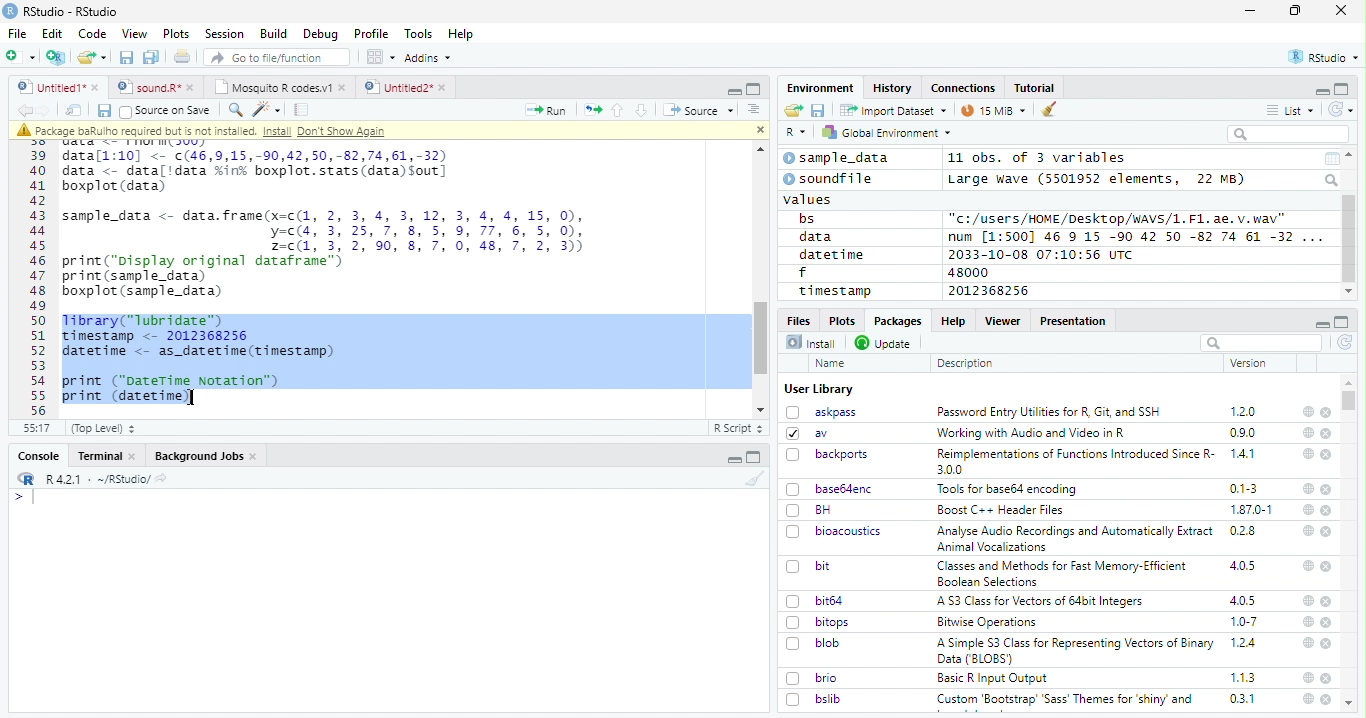 This screenshot has height=718, width=1366. I want to click on help, so click(1307, 699).